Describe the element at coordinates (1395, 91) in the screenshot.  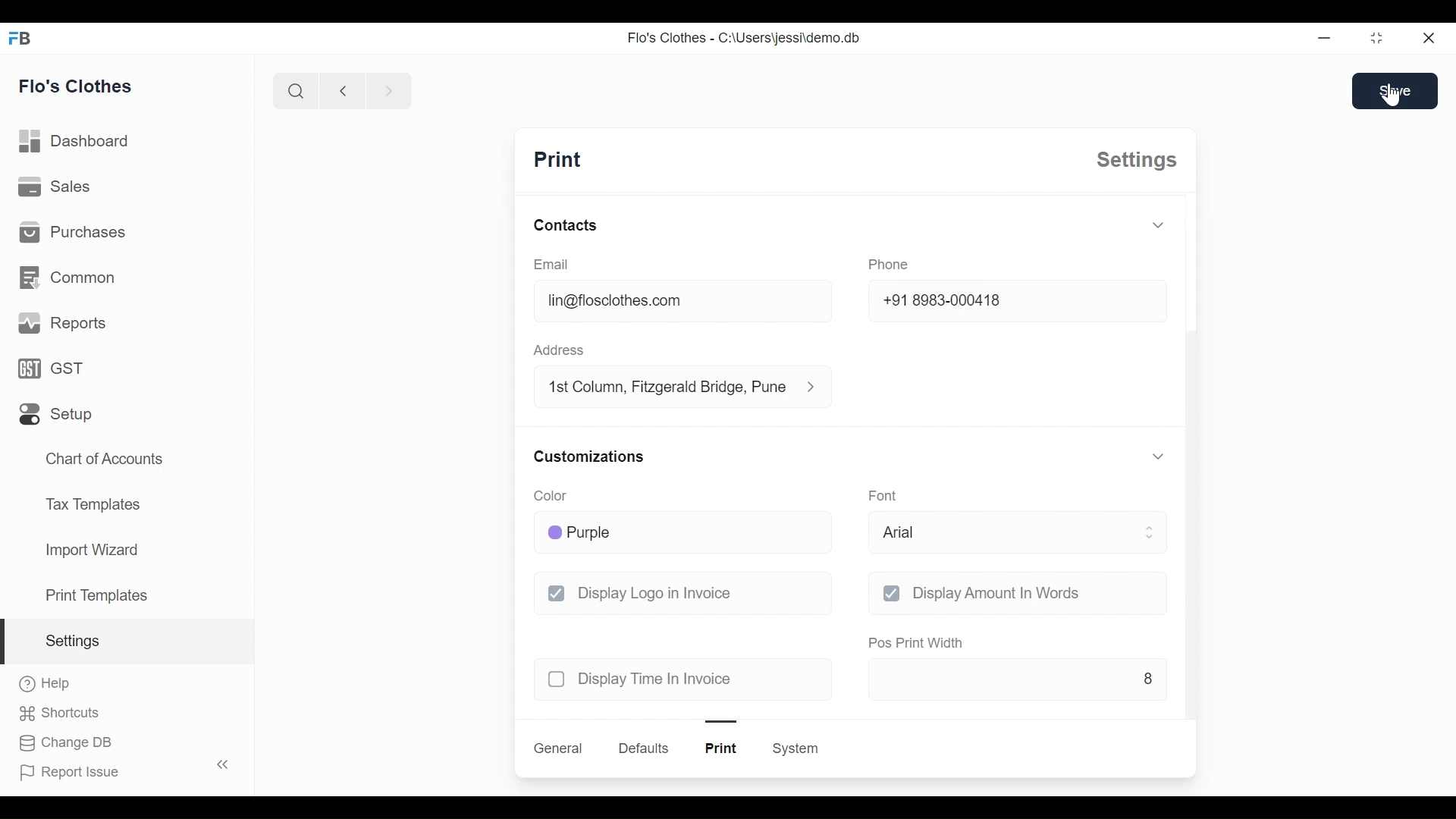
I see `save` at that location.